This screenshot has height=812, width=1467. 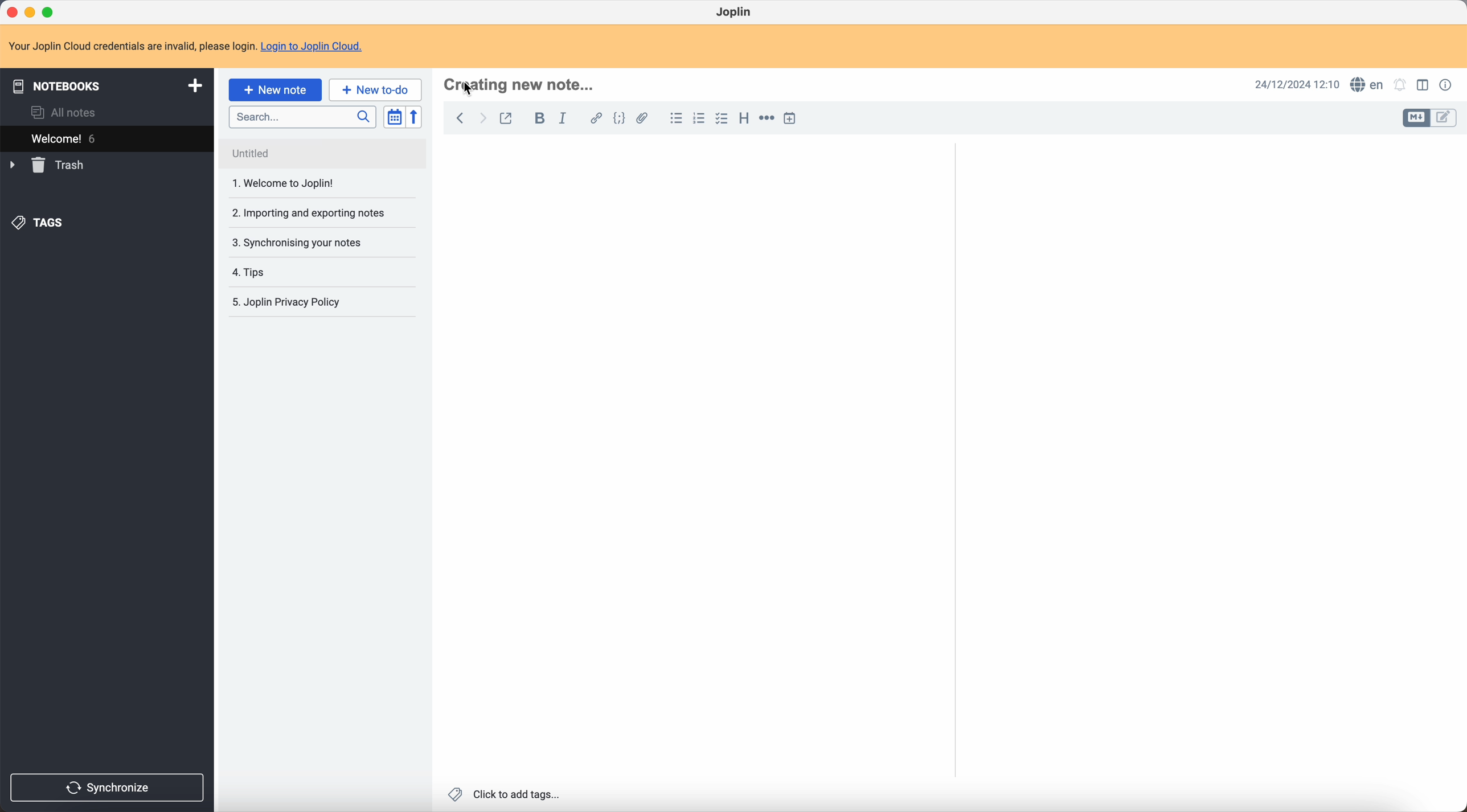 I want to click on toggle sort order field, so click(x=395, y=117).